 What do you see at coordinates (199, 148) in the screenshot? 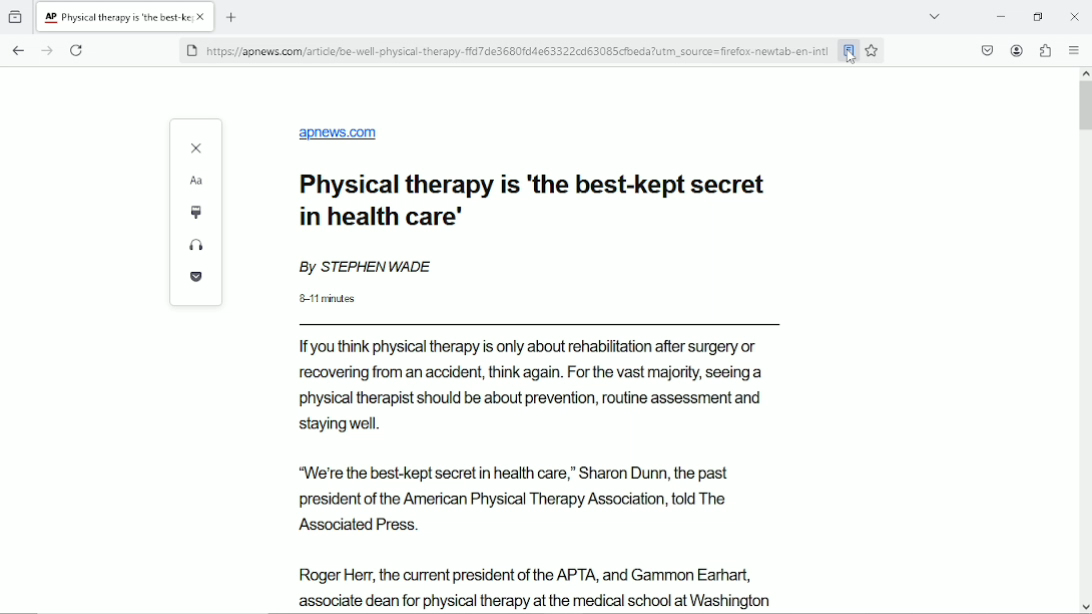
I see `Close reader view` at bounding box center [199, 148].